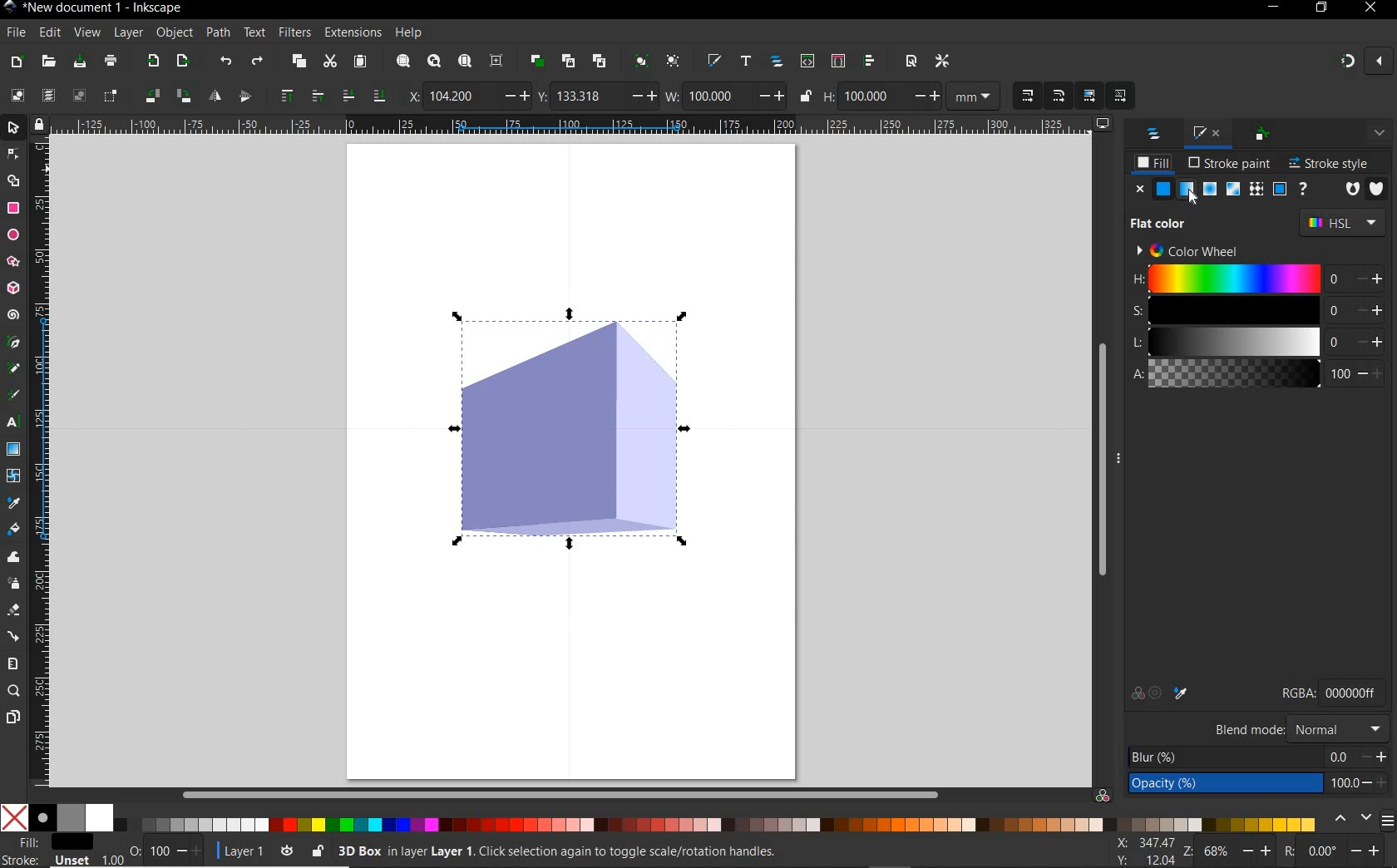  Describe the element at coordinates (346, 96) in the screenshot. I see `LOWER SELECTION` at that location.